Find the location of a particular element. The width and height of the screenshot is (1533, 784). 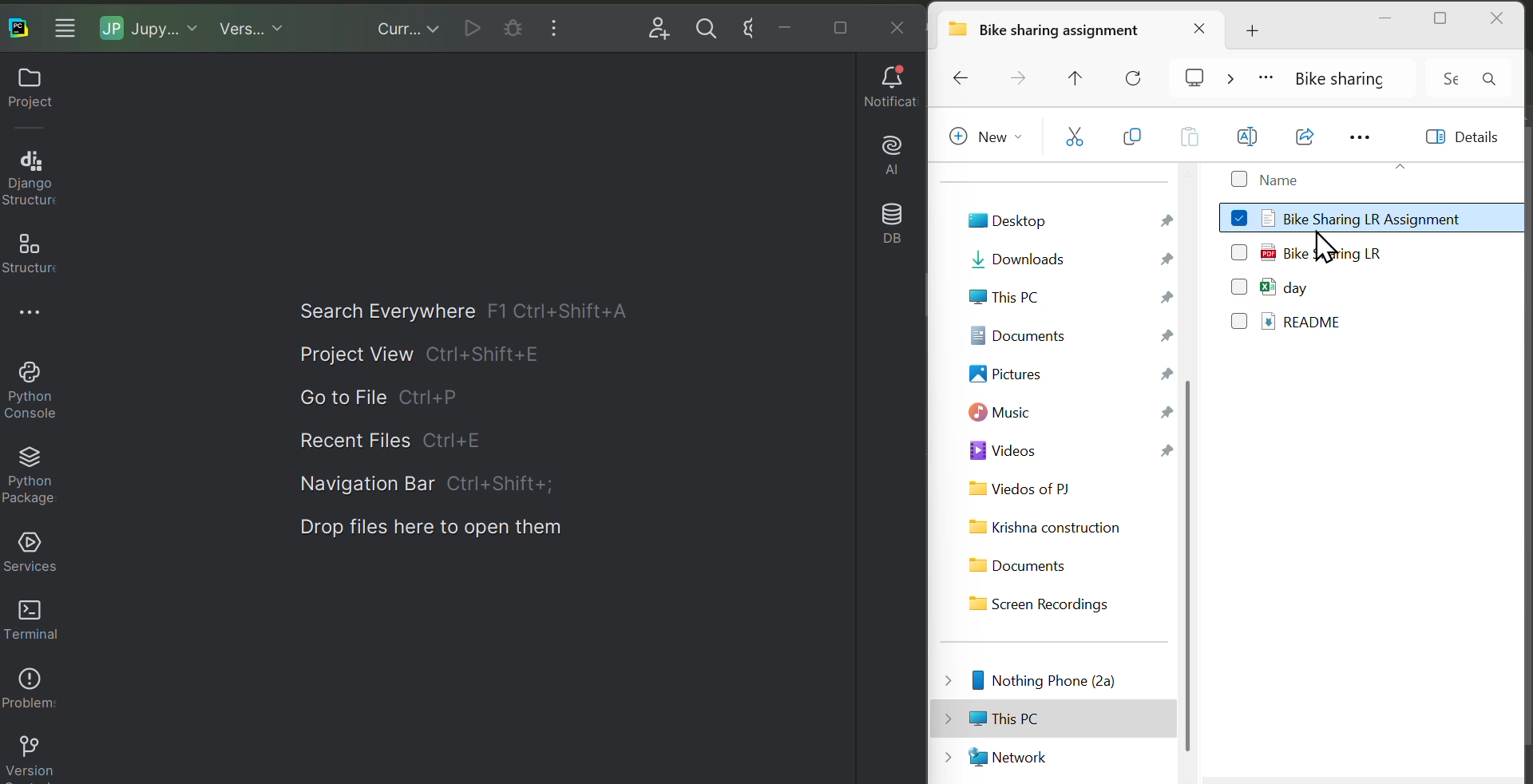

New is located at coordinates (985, 140).